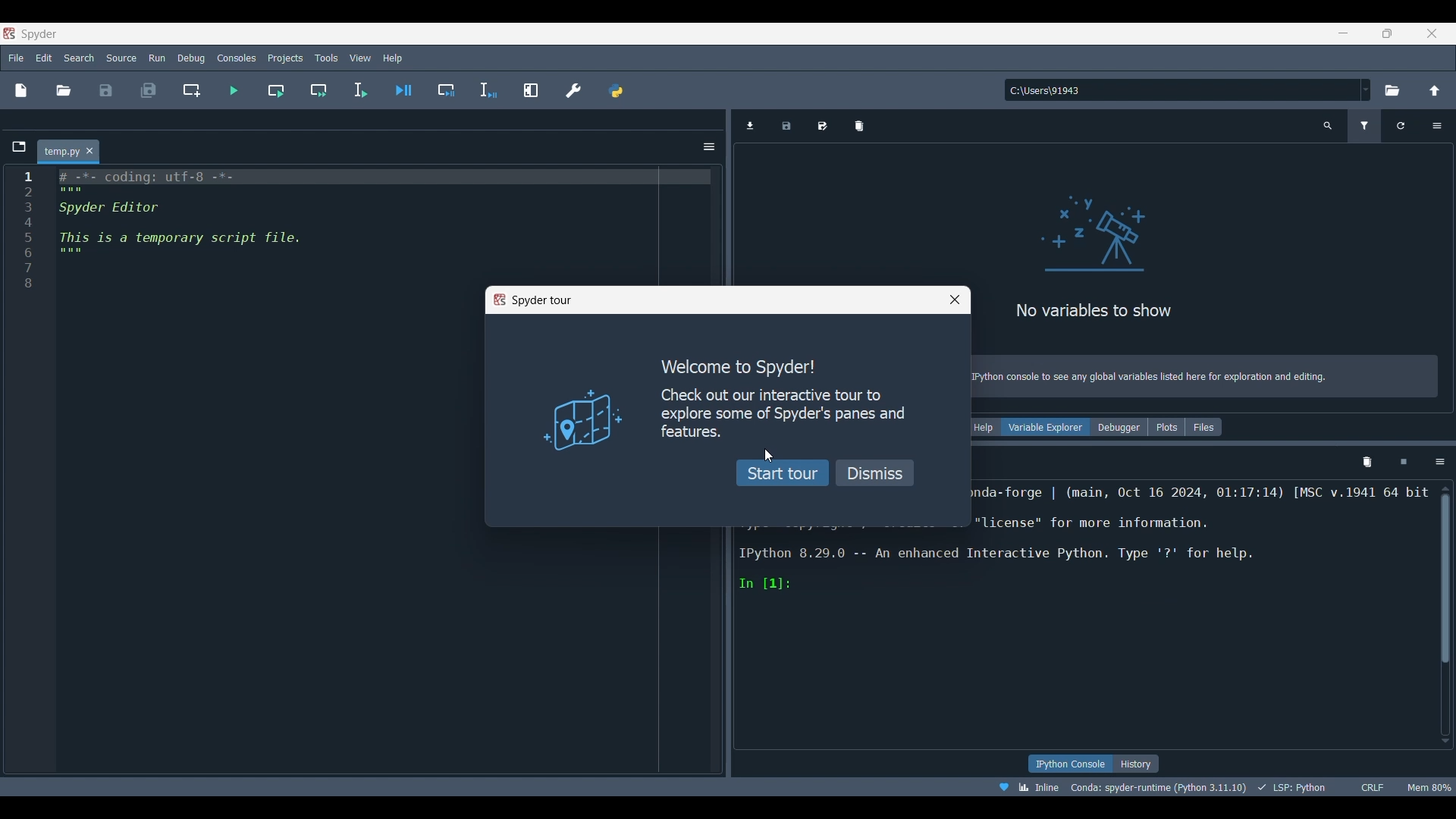 The width and height of the screenshot is (1456, 819). Describe the element at coordinates (285, 58) in the screenshot. I see `Projects menu` at that location.